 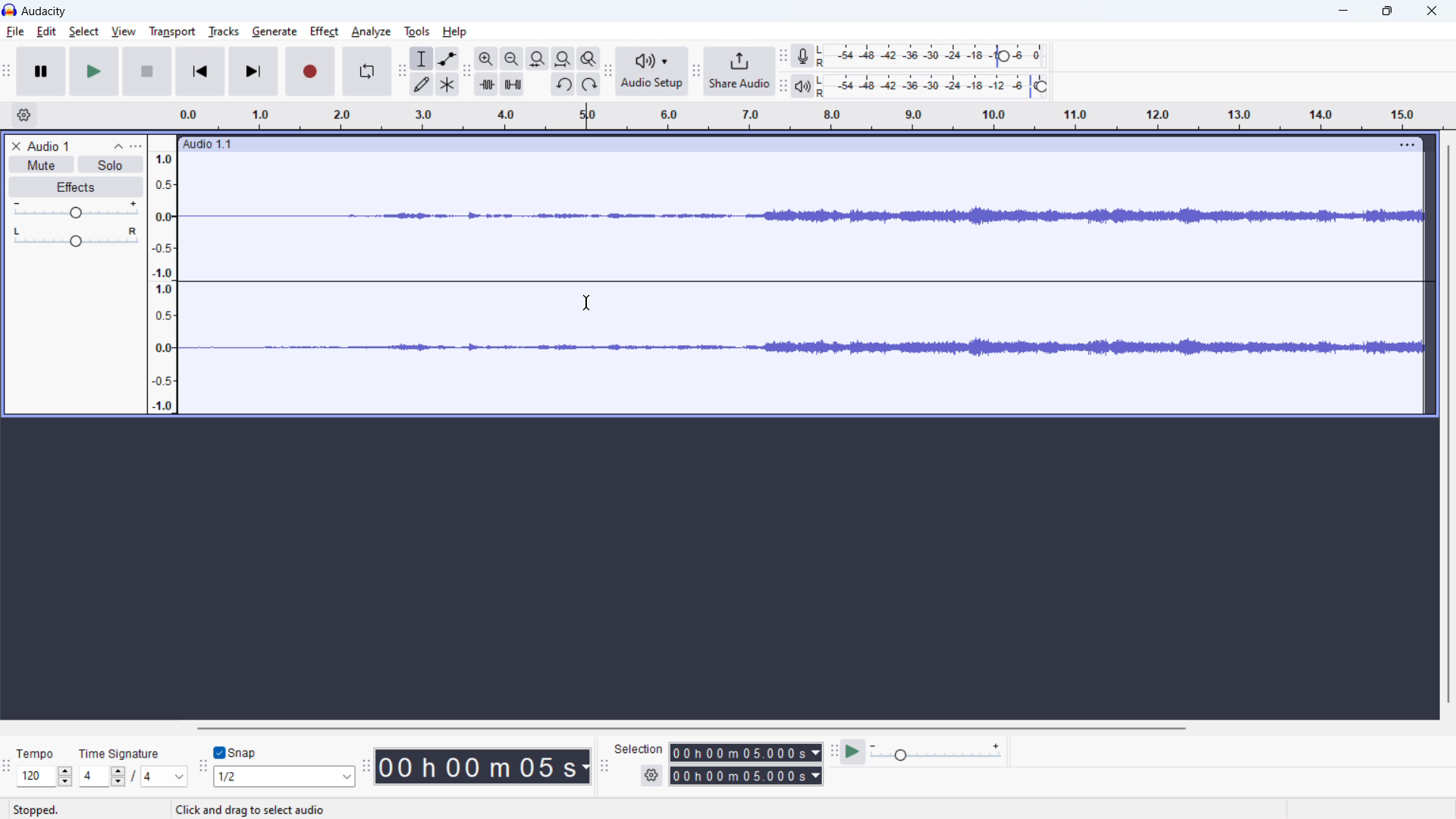 I want to click on share audio toolbar, so click(x=696, y=71).